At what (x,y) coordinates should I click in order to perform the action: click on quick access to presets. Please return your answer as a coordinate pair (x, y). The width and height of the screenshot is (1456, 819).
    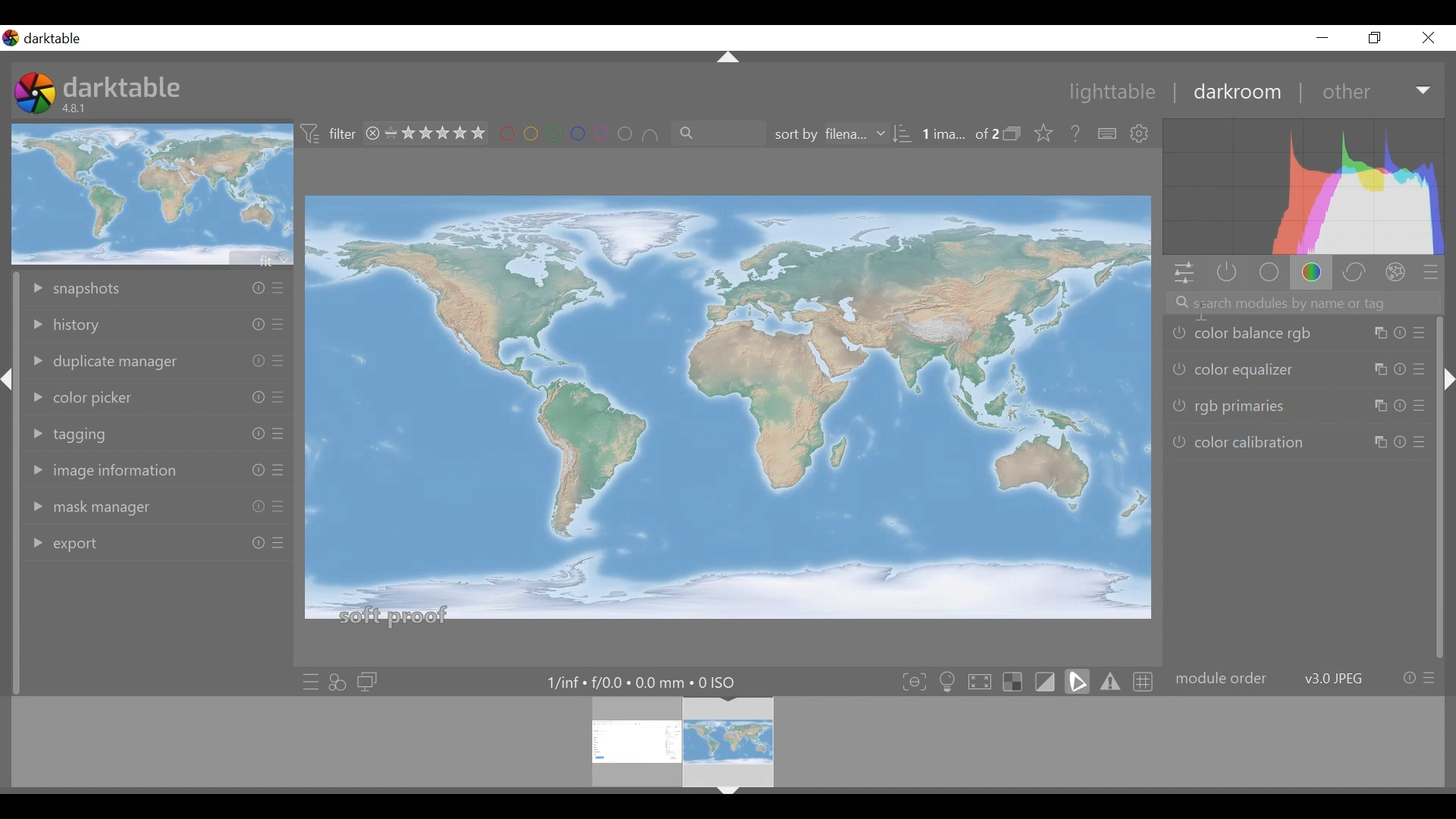
    Looking at the image, I should click on (310, 682).